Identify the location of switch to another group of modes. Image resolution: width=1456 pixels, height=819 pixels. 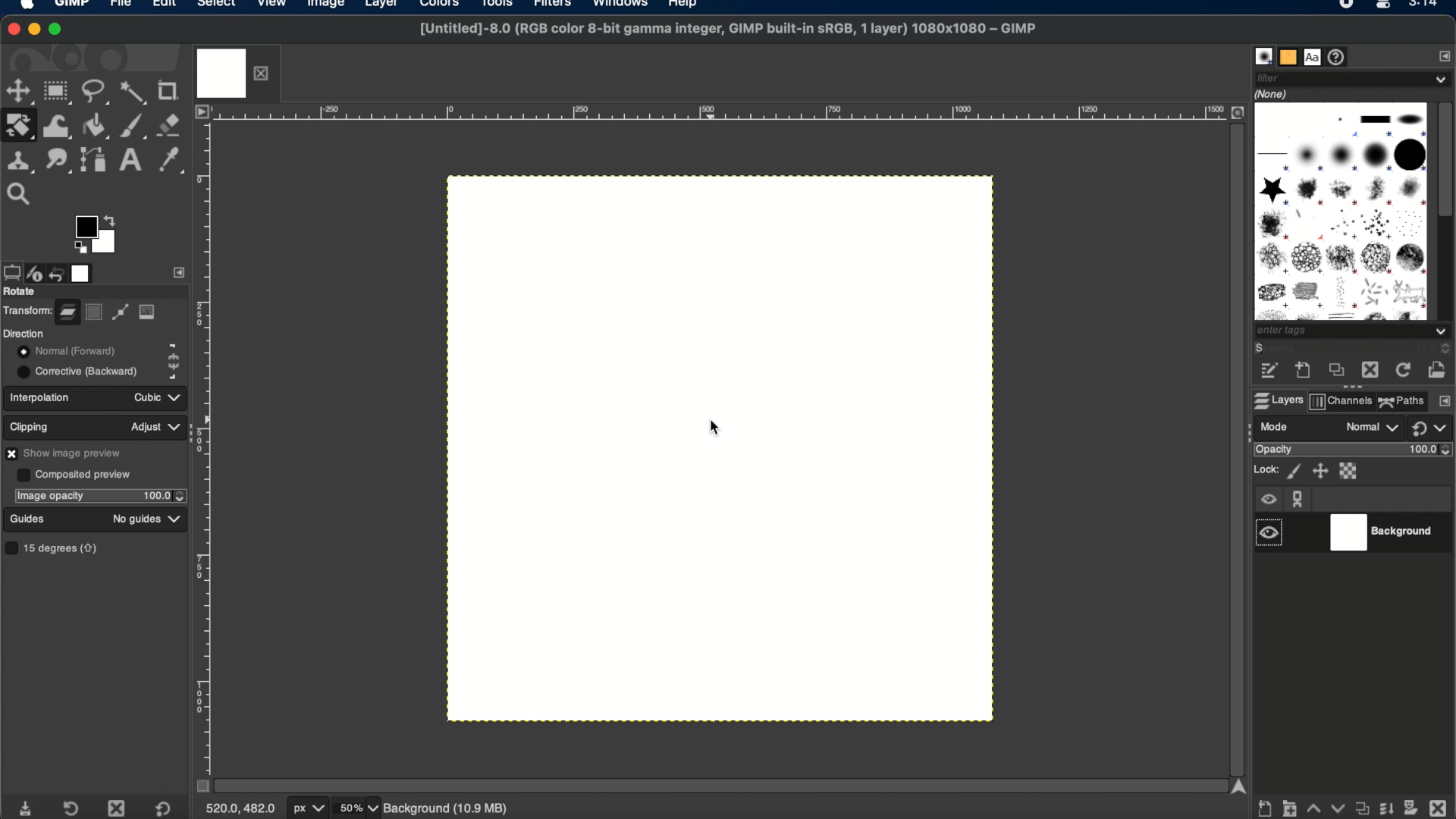
(1433, 429).